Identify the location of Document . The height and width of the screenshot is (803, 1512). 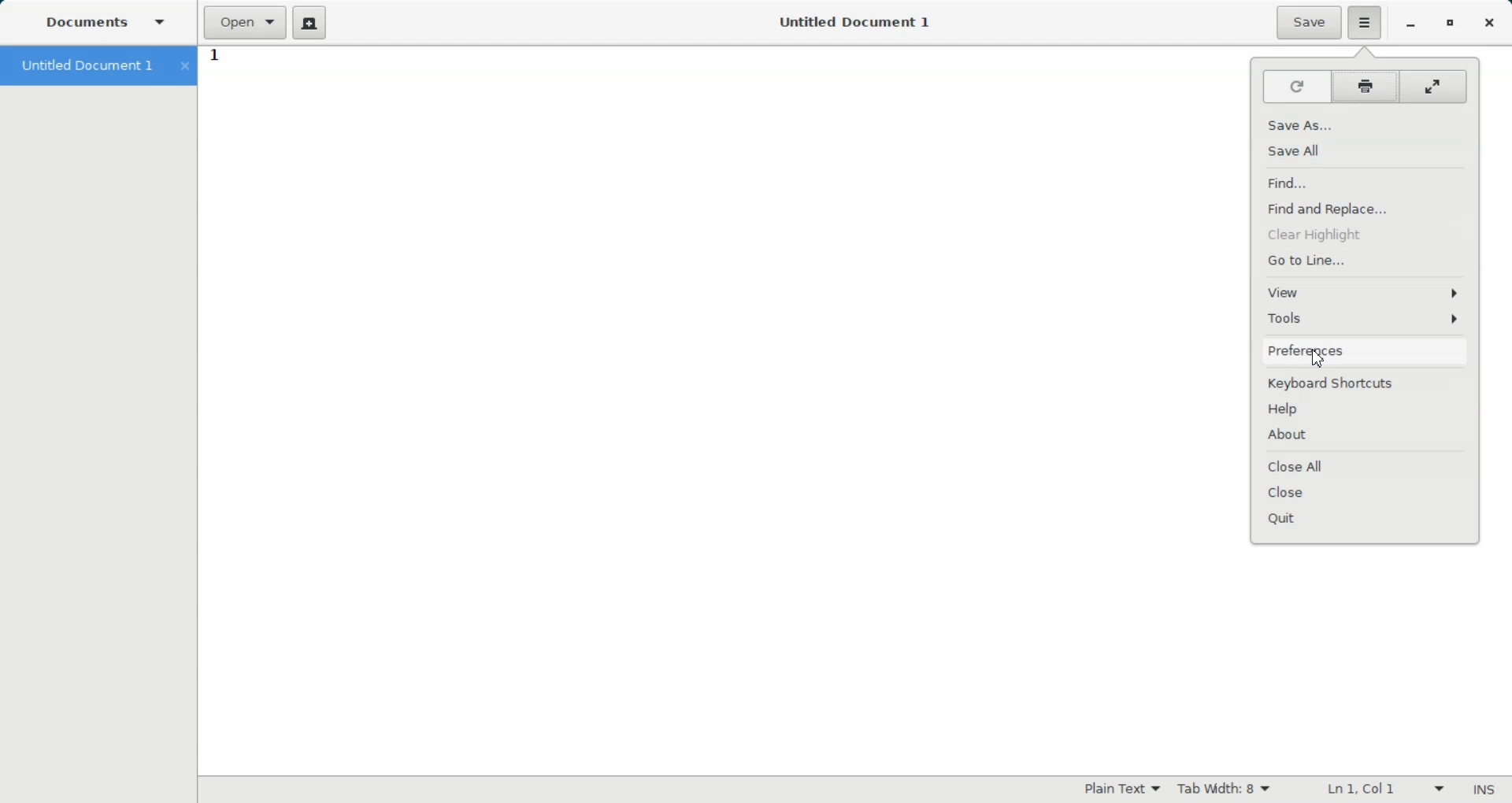
(110, 24).